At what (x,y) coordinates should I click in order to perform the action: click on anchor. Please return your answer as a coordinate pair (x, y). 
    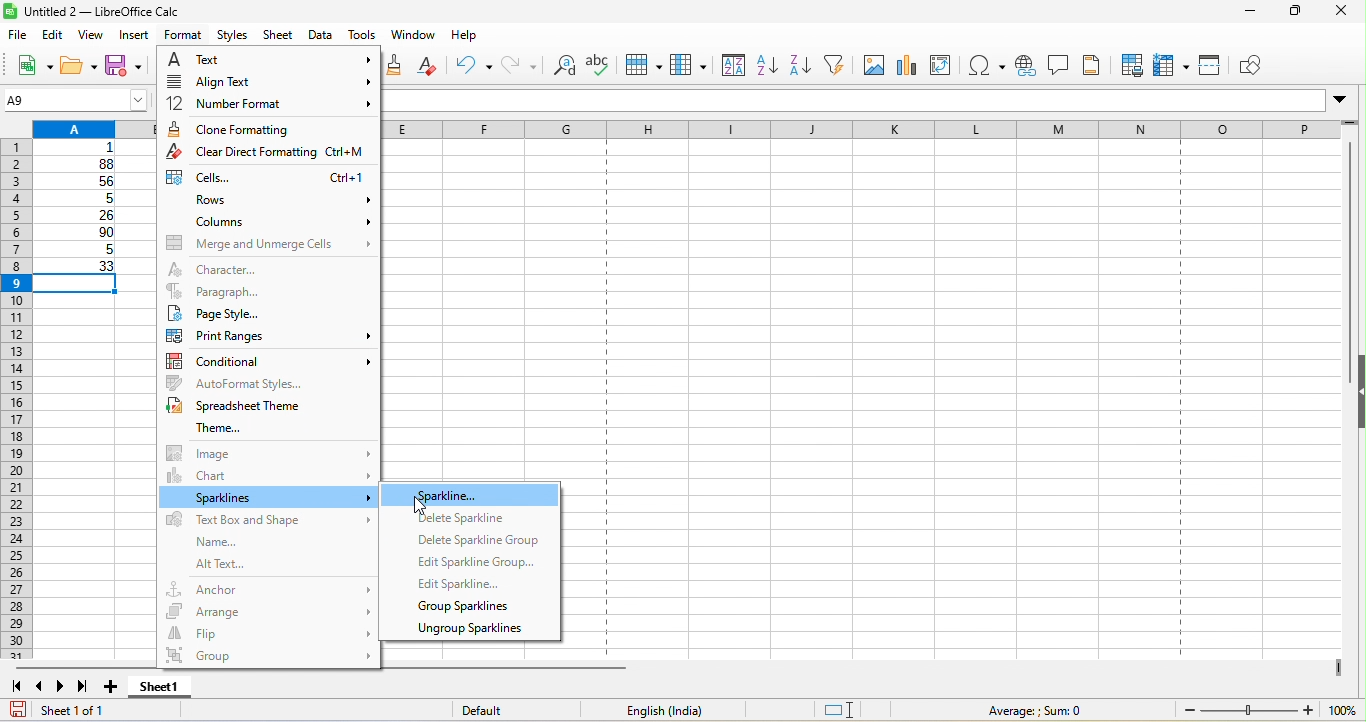
    Looking at the image, I should click on (269, 587).